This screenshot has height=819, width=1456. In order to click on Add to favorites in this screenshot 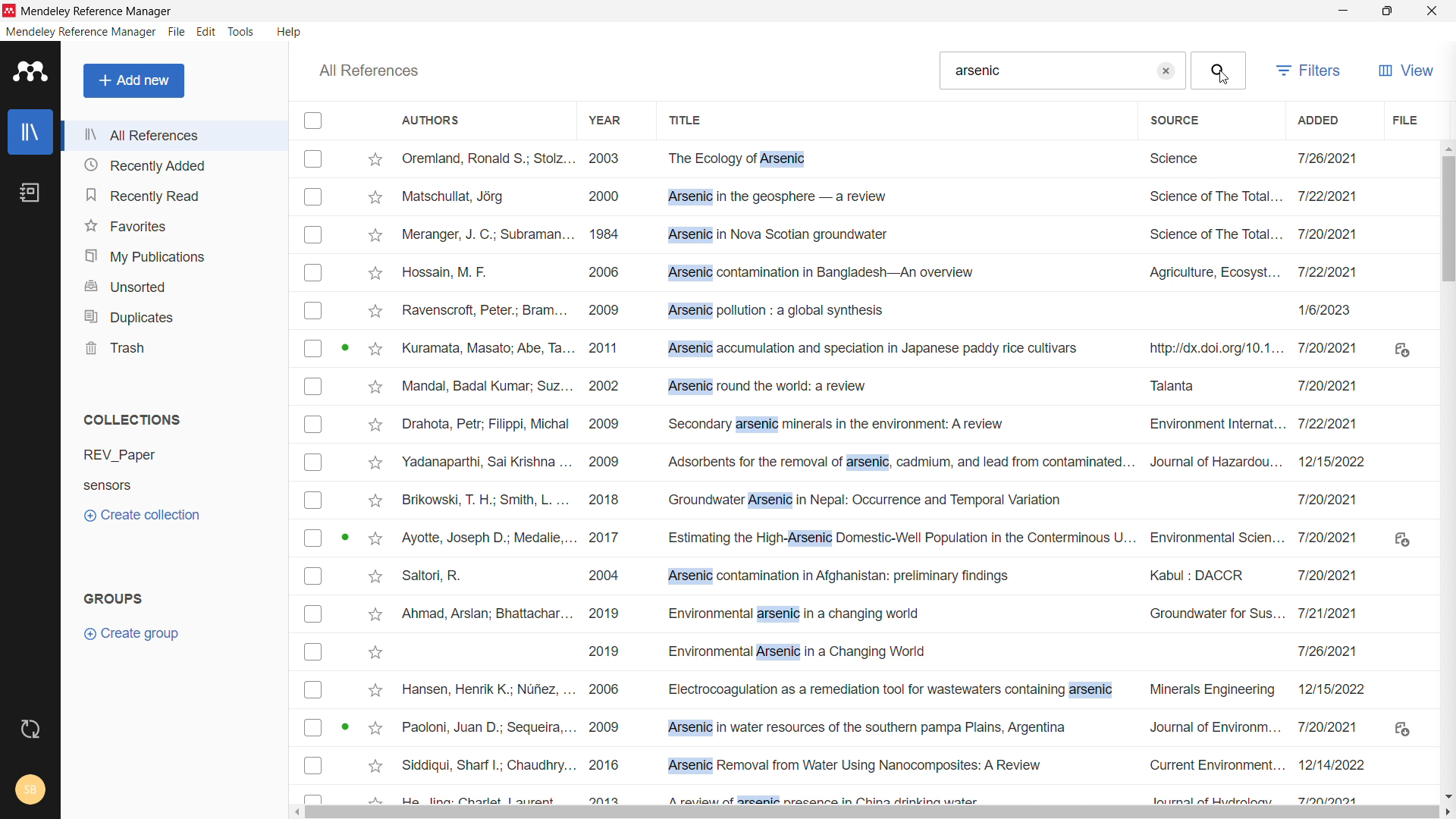, I will do `click(375, 611)`.